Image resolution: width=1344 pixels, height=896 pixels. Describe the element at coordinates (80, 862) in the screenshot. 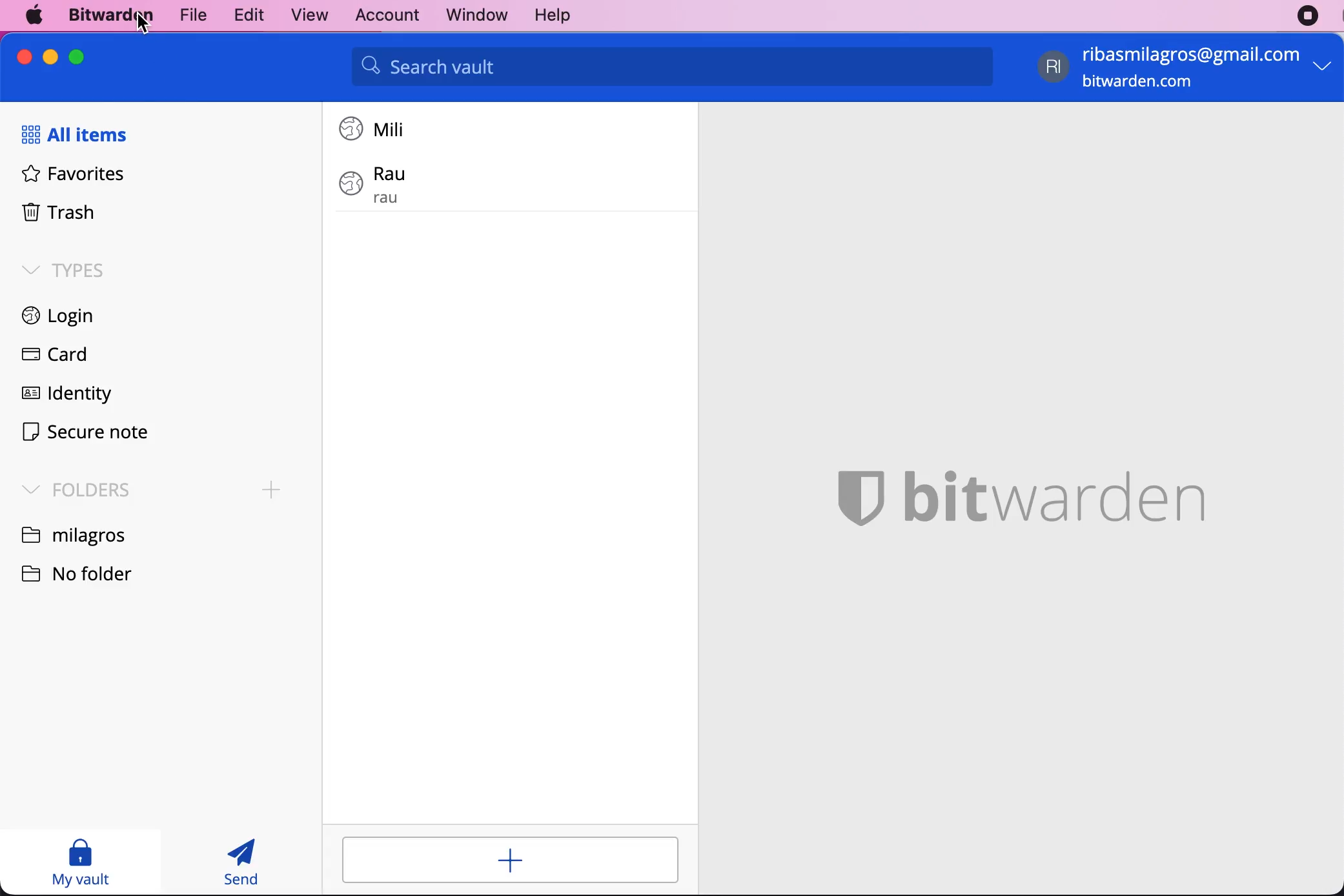

I see `my vault` at that location.